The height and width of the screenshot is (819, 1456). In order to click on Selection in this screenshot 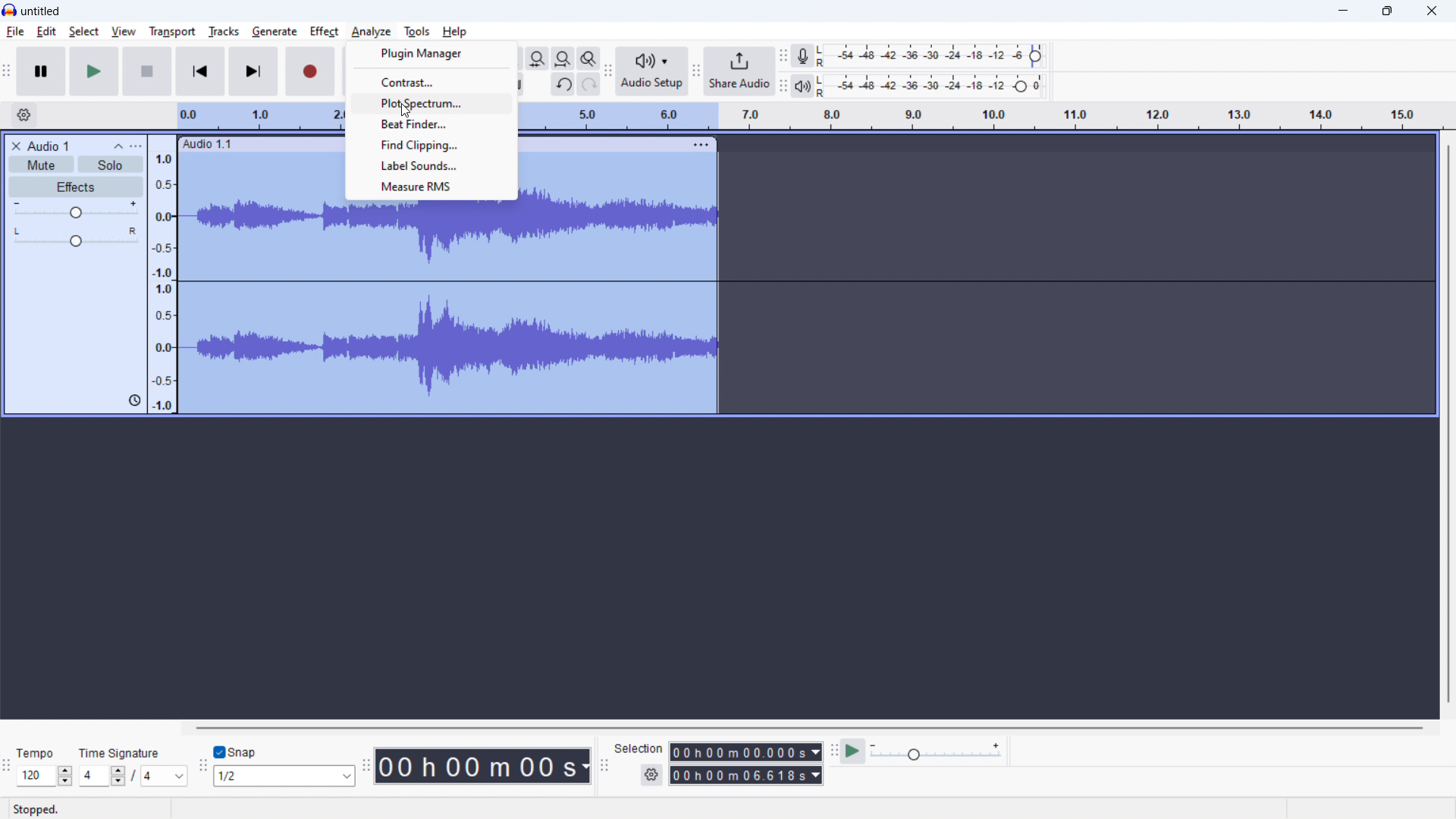, I will do `click(639, 747)`.